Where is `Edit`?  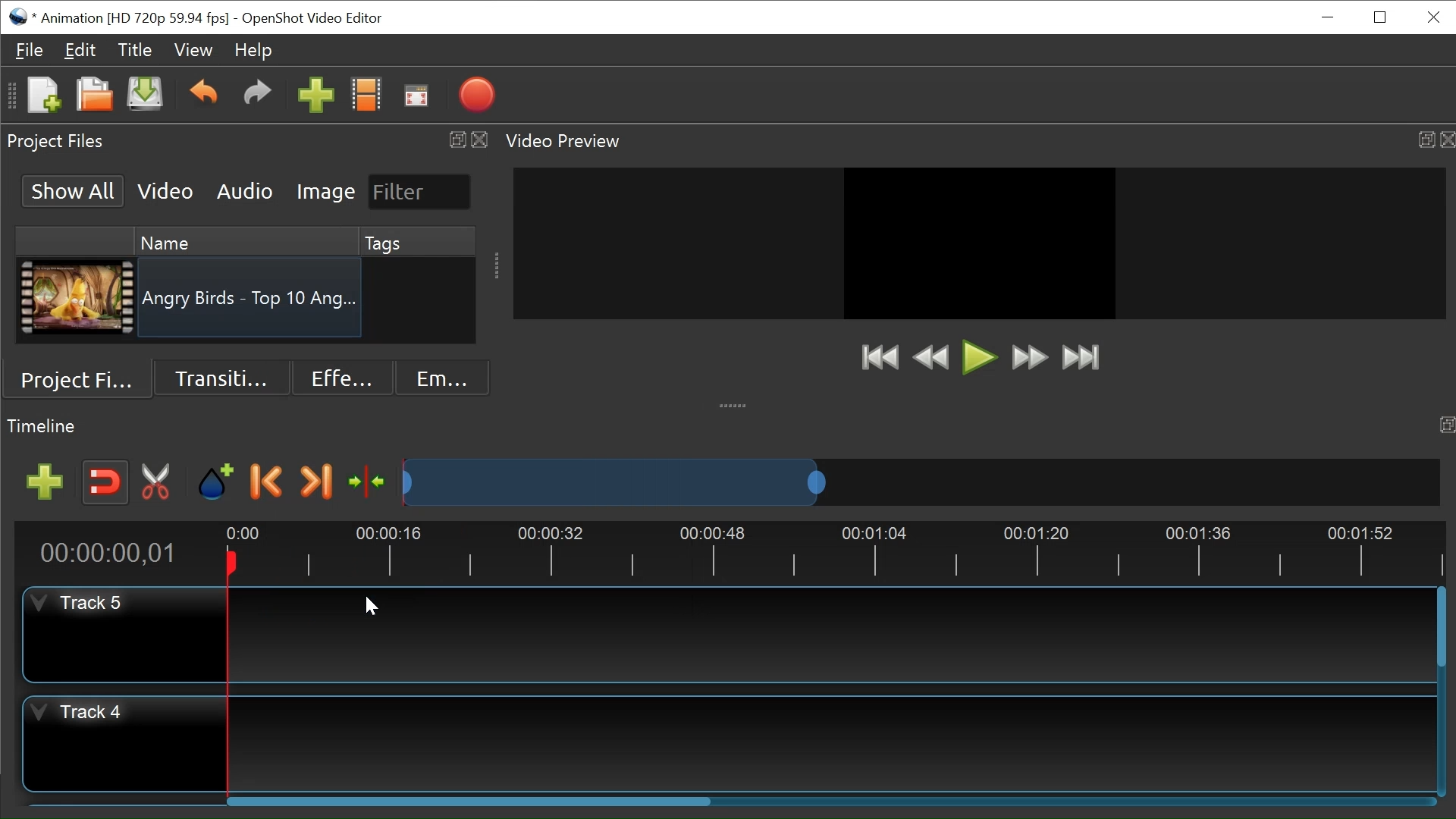
Edit is located at coordinates (80, 50).